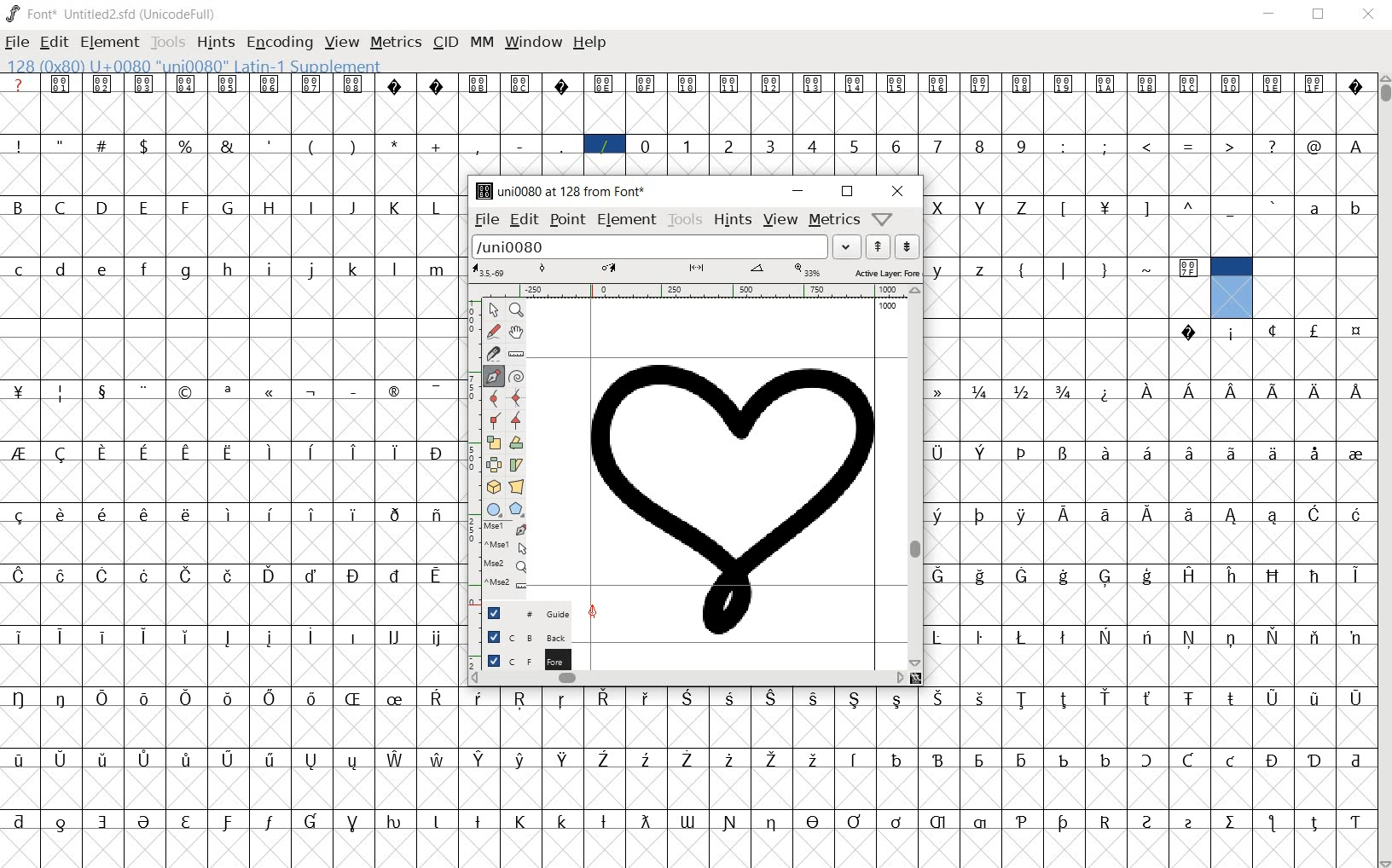  What do you see at coordinates (20, 637) in the screenshot?
I see `glyph` at bounding box center [20, 637].